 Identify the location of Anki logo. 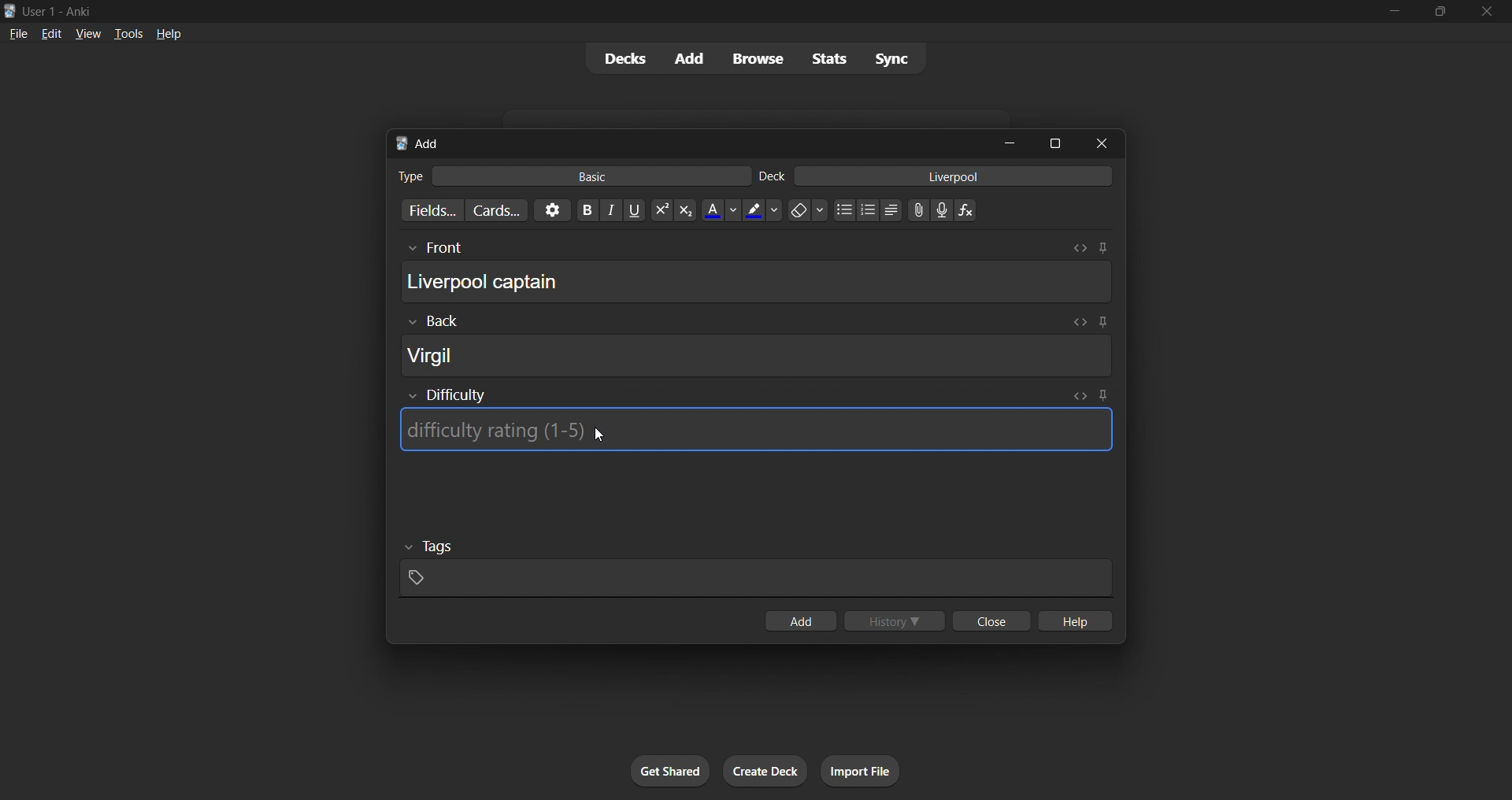
(10, 11).